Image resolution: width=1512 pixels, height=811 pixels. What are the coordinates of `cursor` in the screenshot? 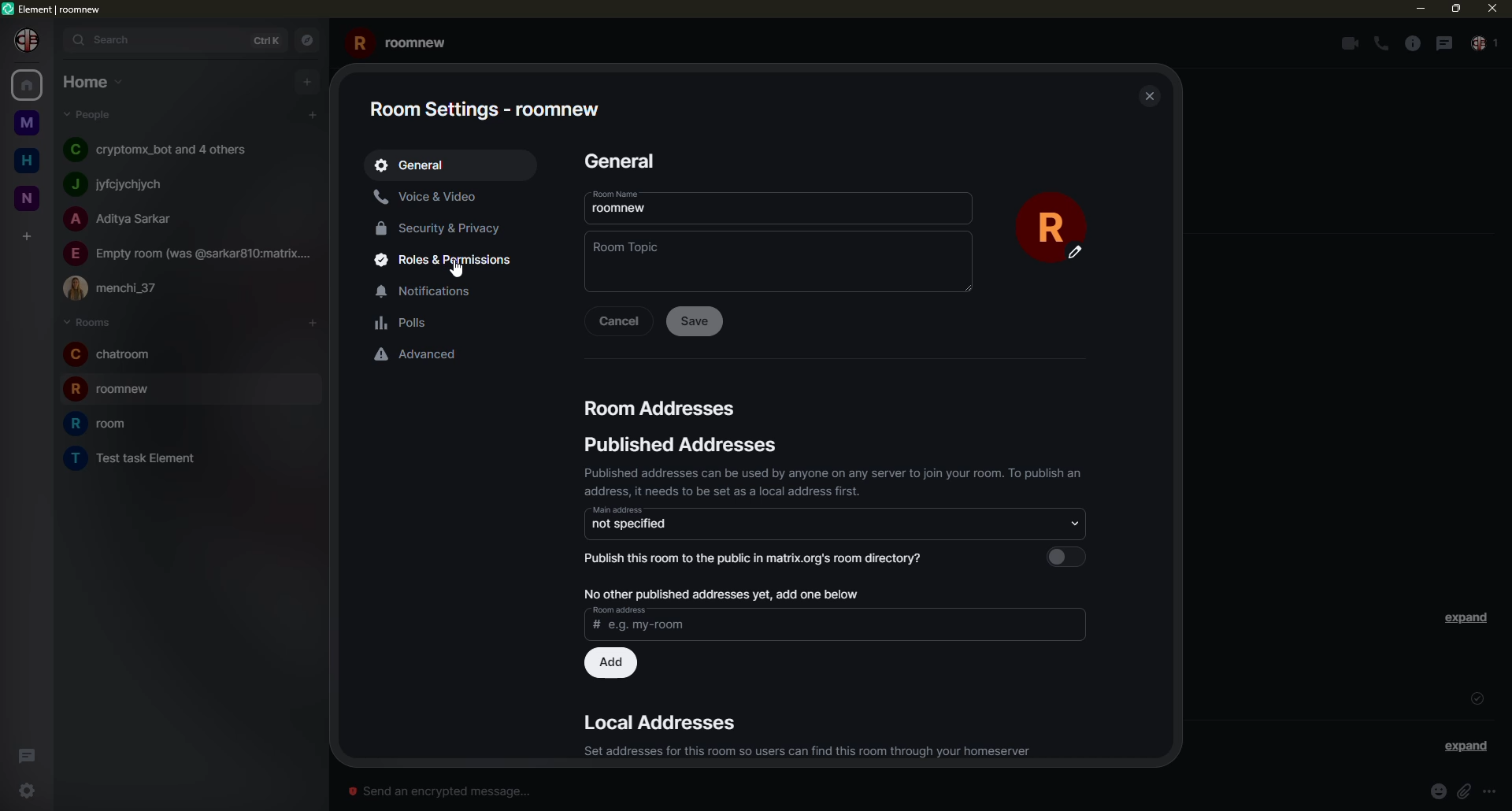 It's located at (456, 272).